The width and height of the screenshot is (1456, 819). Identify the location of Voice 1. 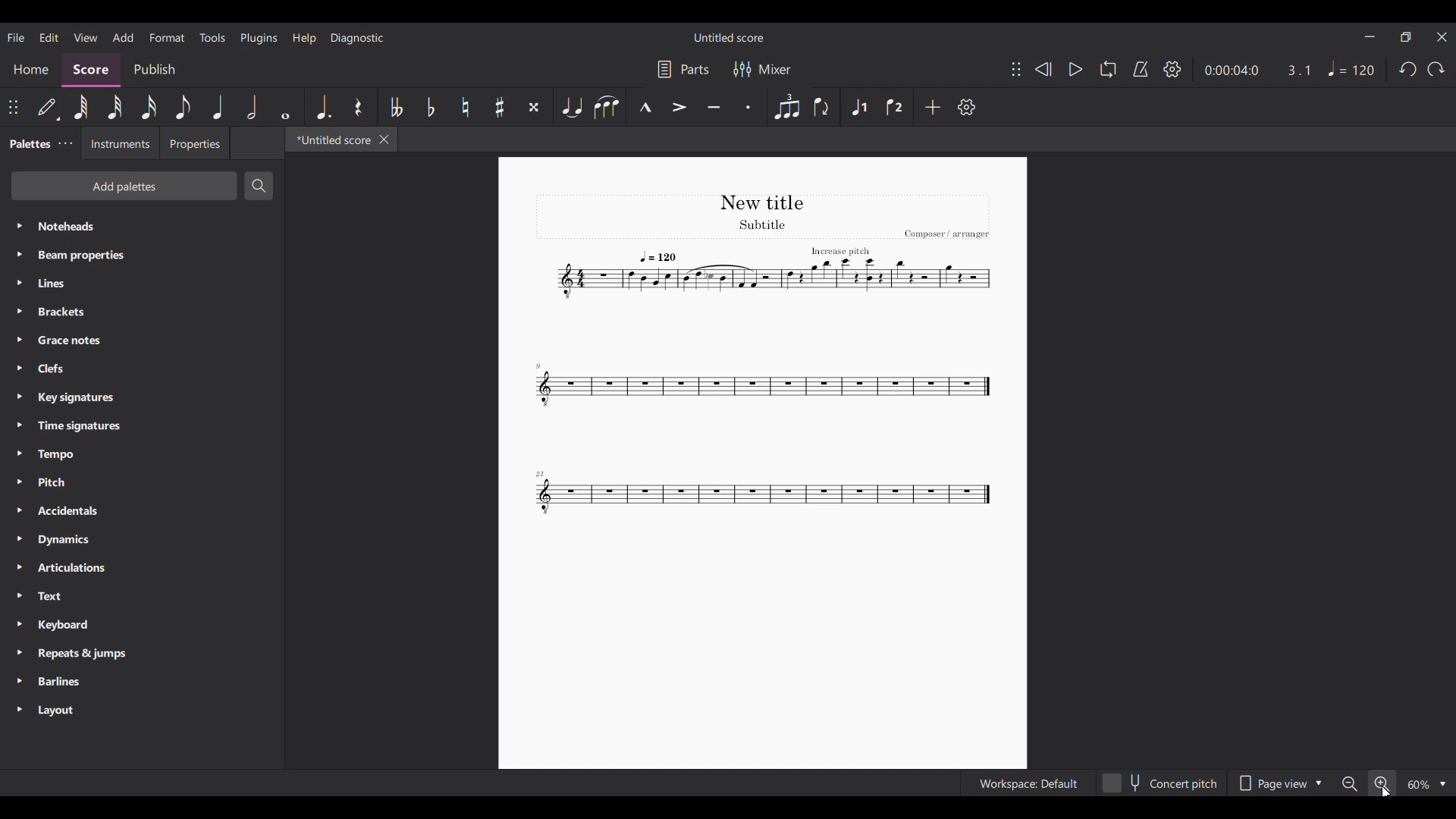
(859, 107).